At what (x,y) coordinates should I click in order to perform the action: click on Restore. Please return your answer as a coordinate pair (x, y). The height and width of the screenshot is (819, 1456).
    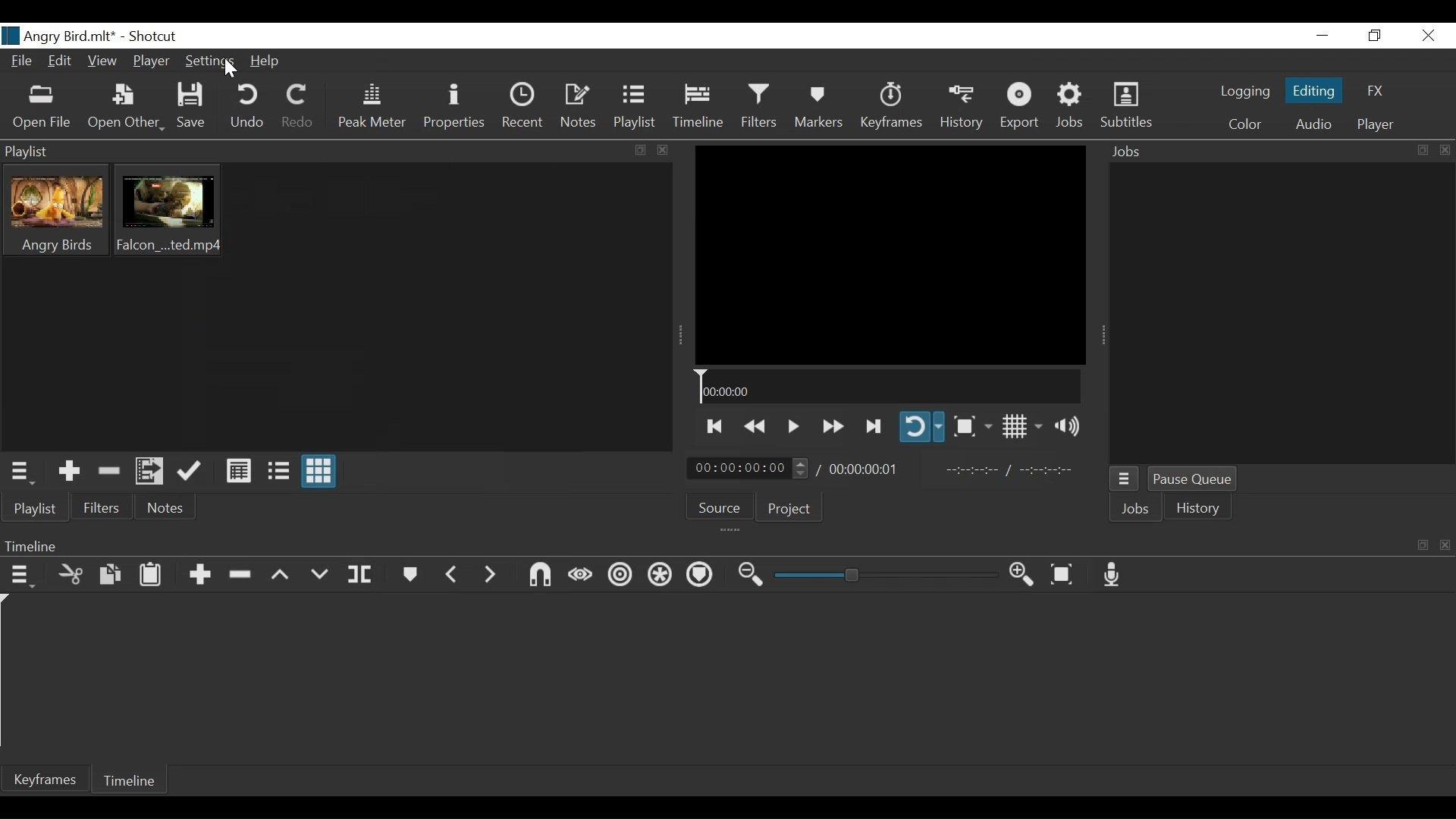
    Looking at the image, I should click on (1373, 36).